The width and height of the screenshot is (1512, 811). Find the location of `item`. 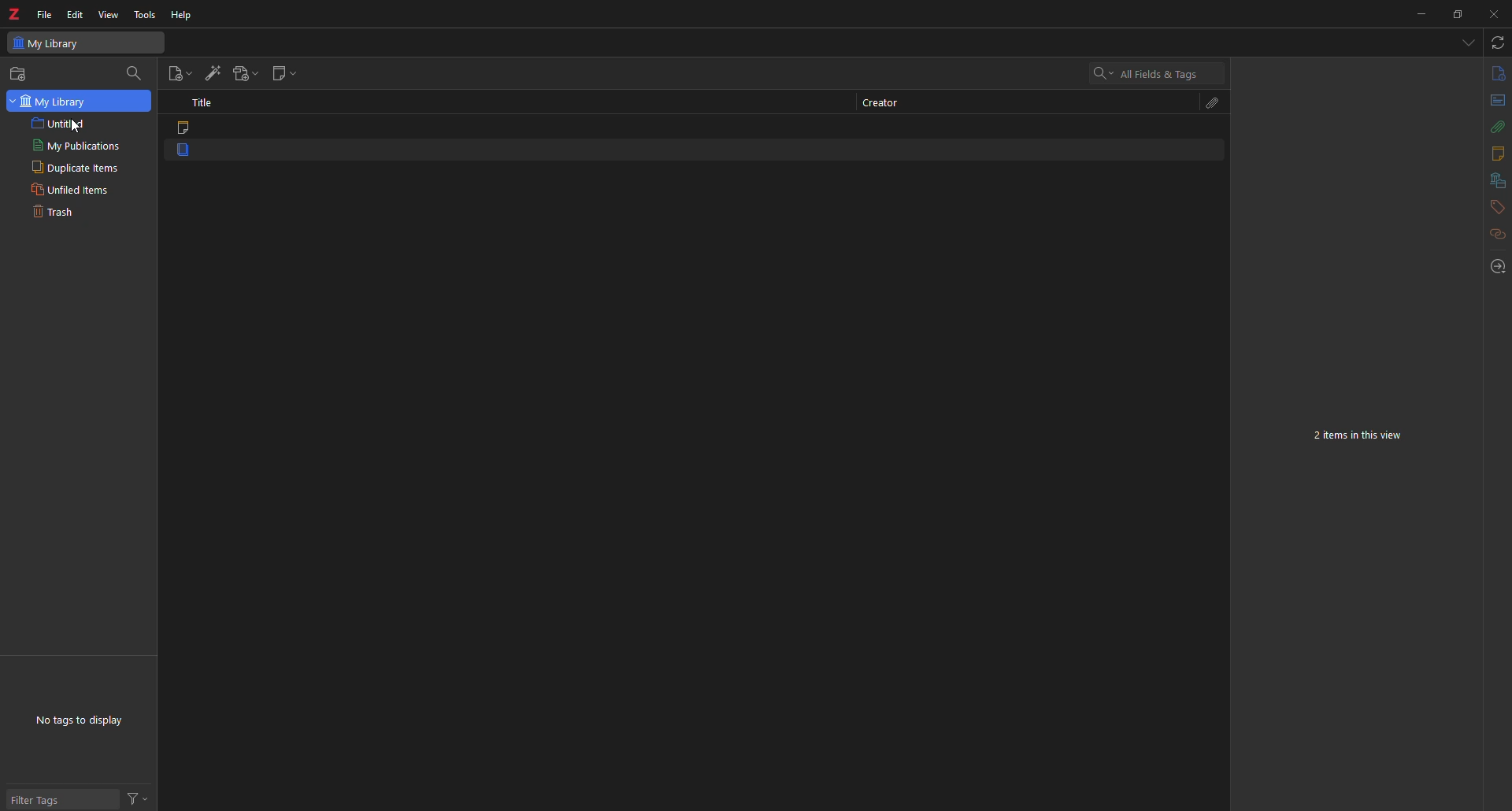

item is located at coordinates (191, 128).